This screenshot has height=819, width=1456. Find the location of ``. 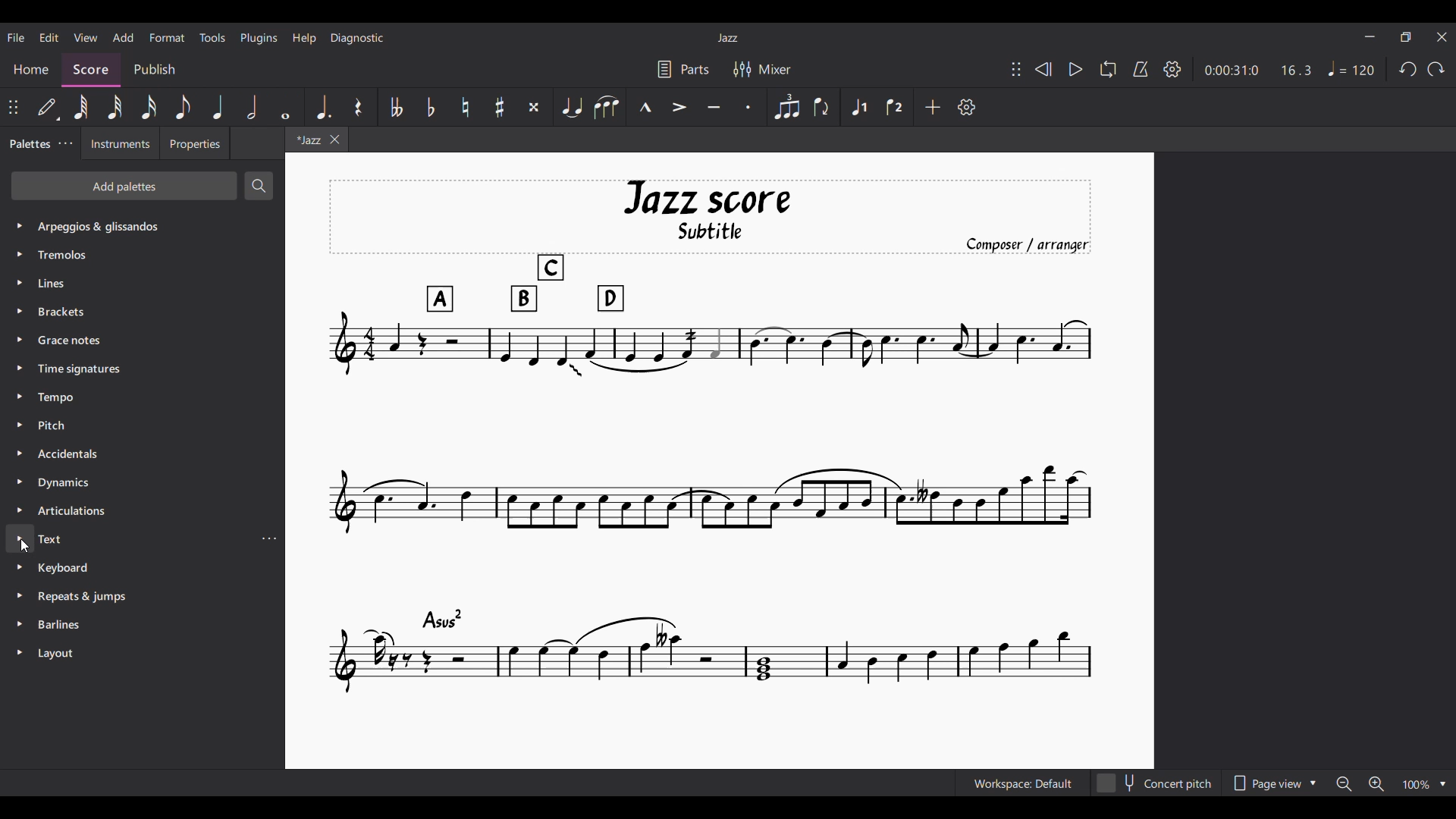

 is located at coordinates (56, 540).